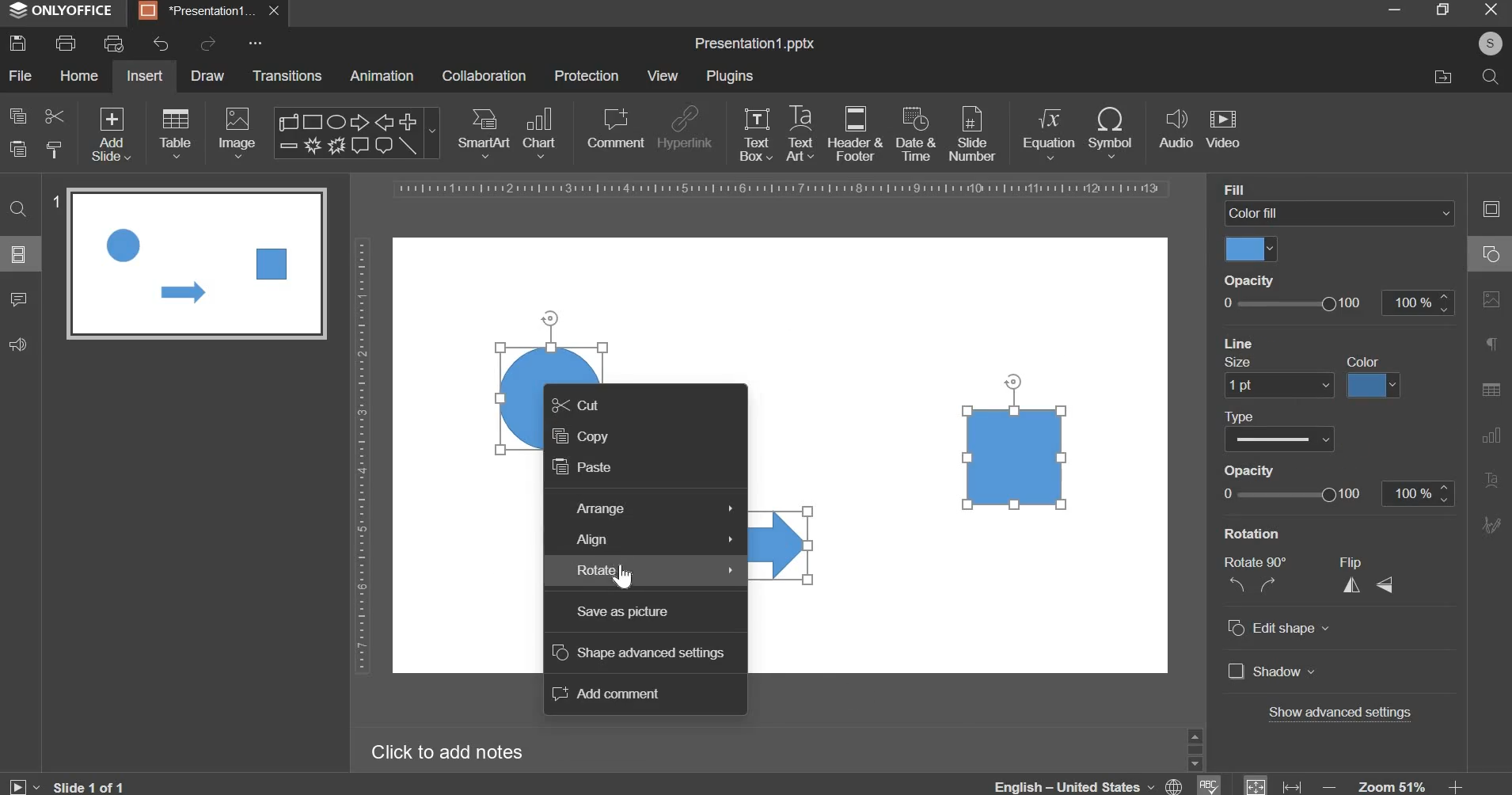 The width and height of the screenshot is (1512, 795). Describe the element at coordinates (1367, 361) in the screenshot. I see `color` at that location.